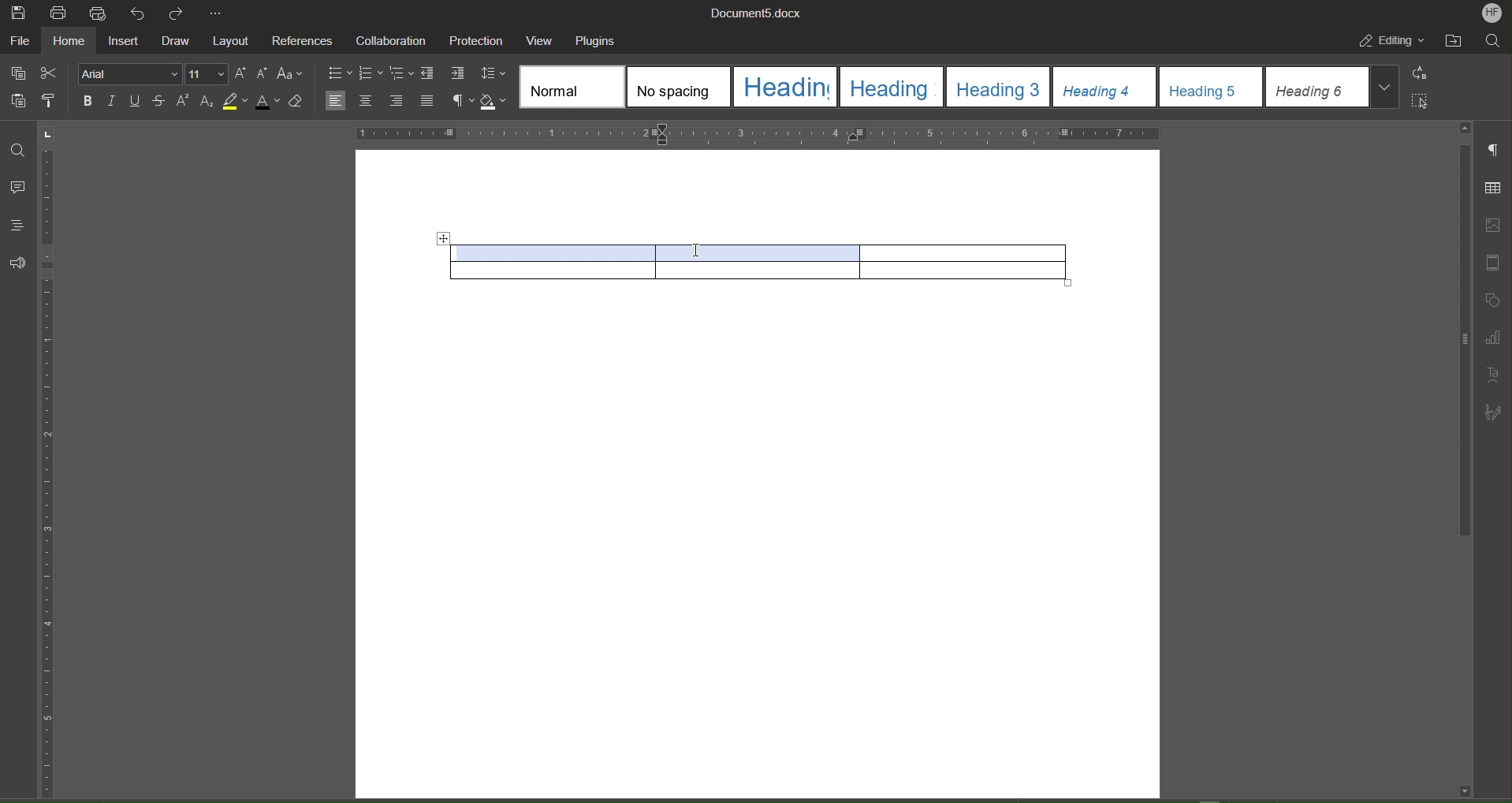 The height and width of the screenshot is (803, 1512). What do you see at coordinates (160, 102) in the screenshot?
I see `Strikethrough` at bounding box center [160, 102].